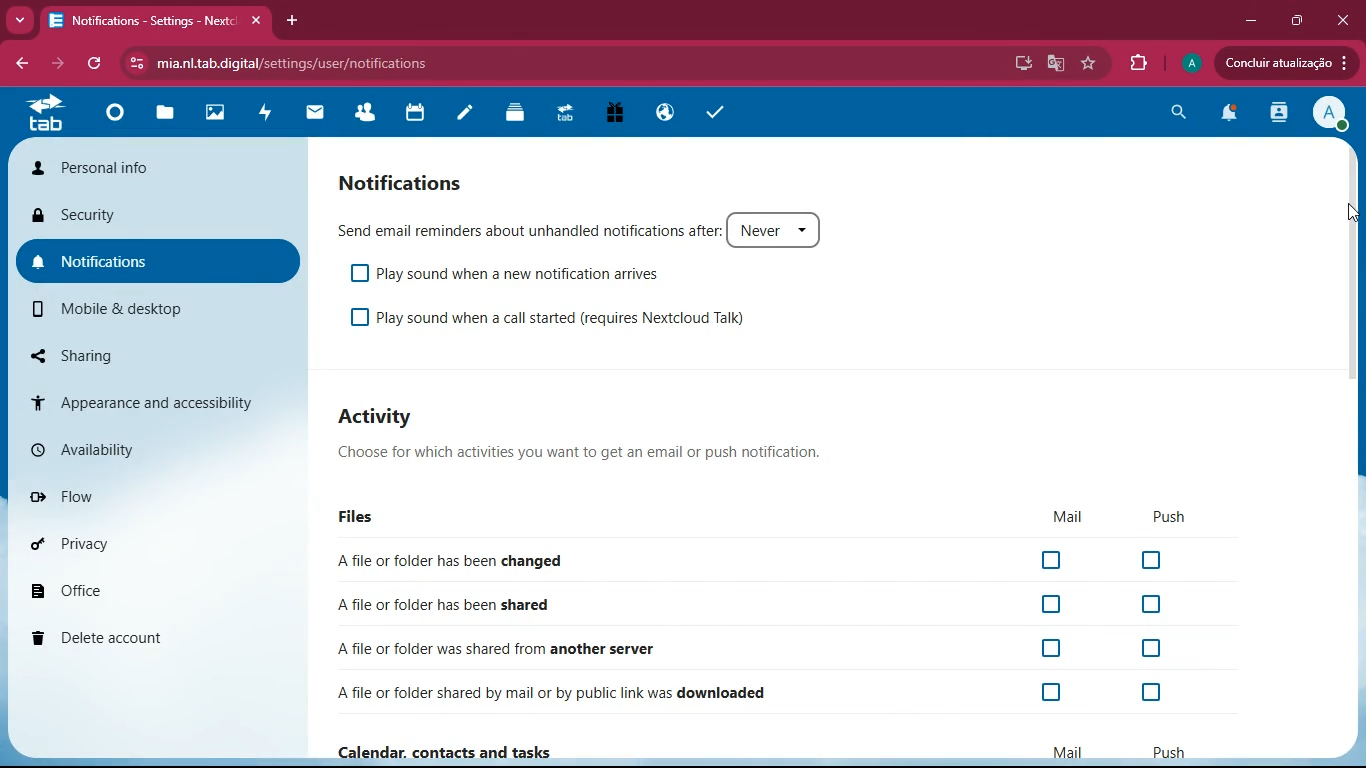 The width and height of the screenshot is (1366, 768). Describe the element at coordinates (1020, 65) in the screenshot. I see `desktop` at that location.